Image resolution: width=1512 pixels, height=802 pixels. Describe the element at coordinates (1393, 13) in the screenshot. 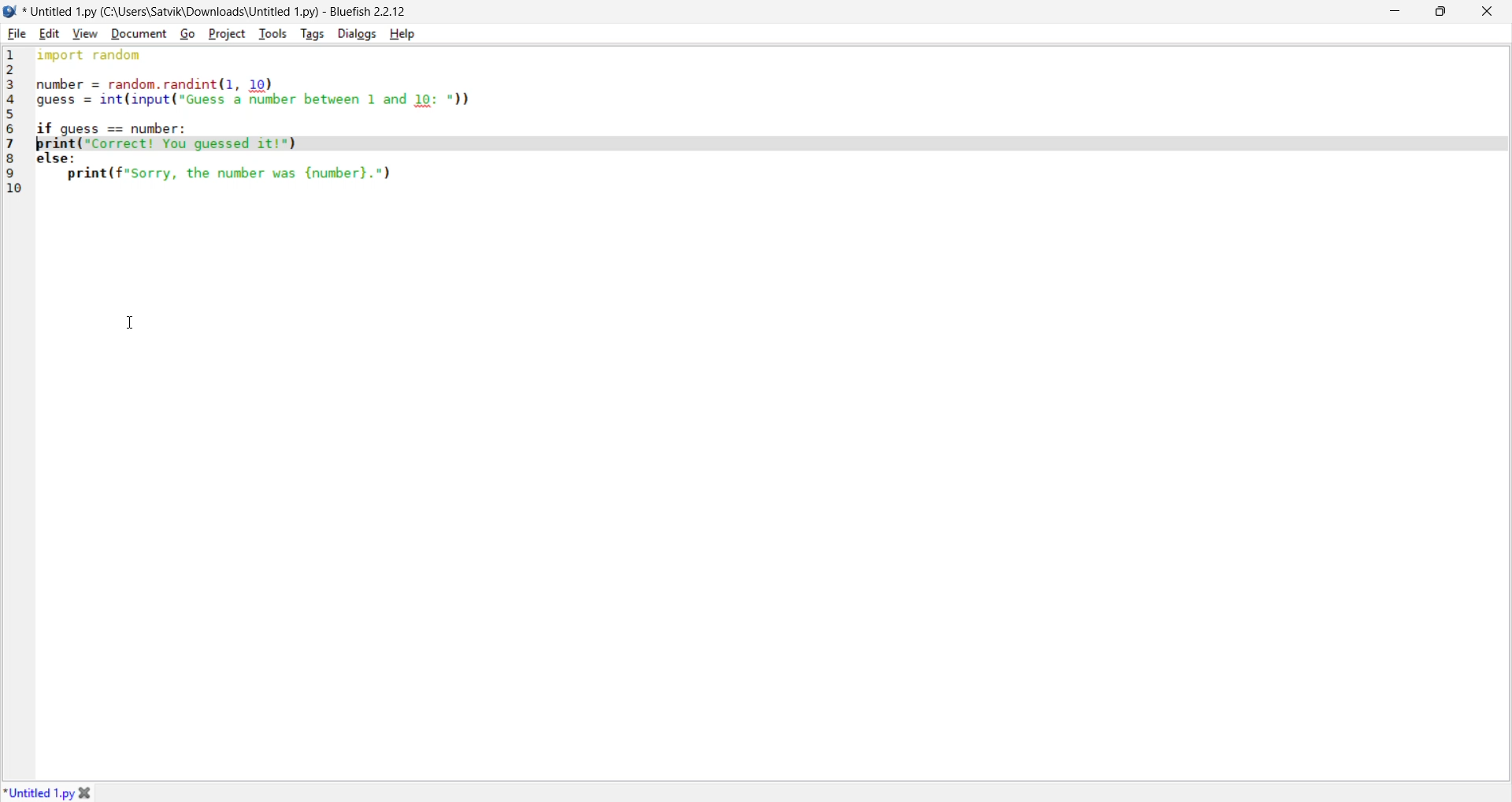

I see `minimize` at that location.